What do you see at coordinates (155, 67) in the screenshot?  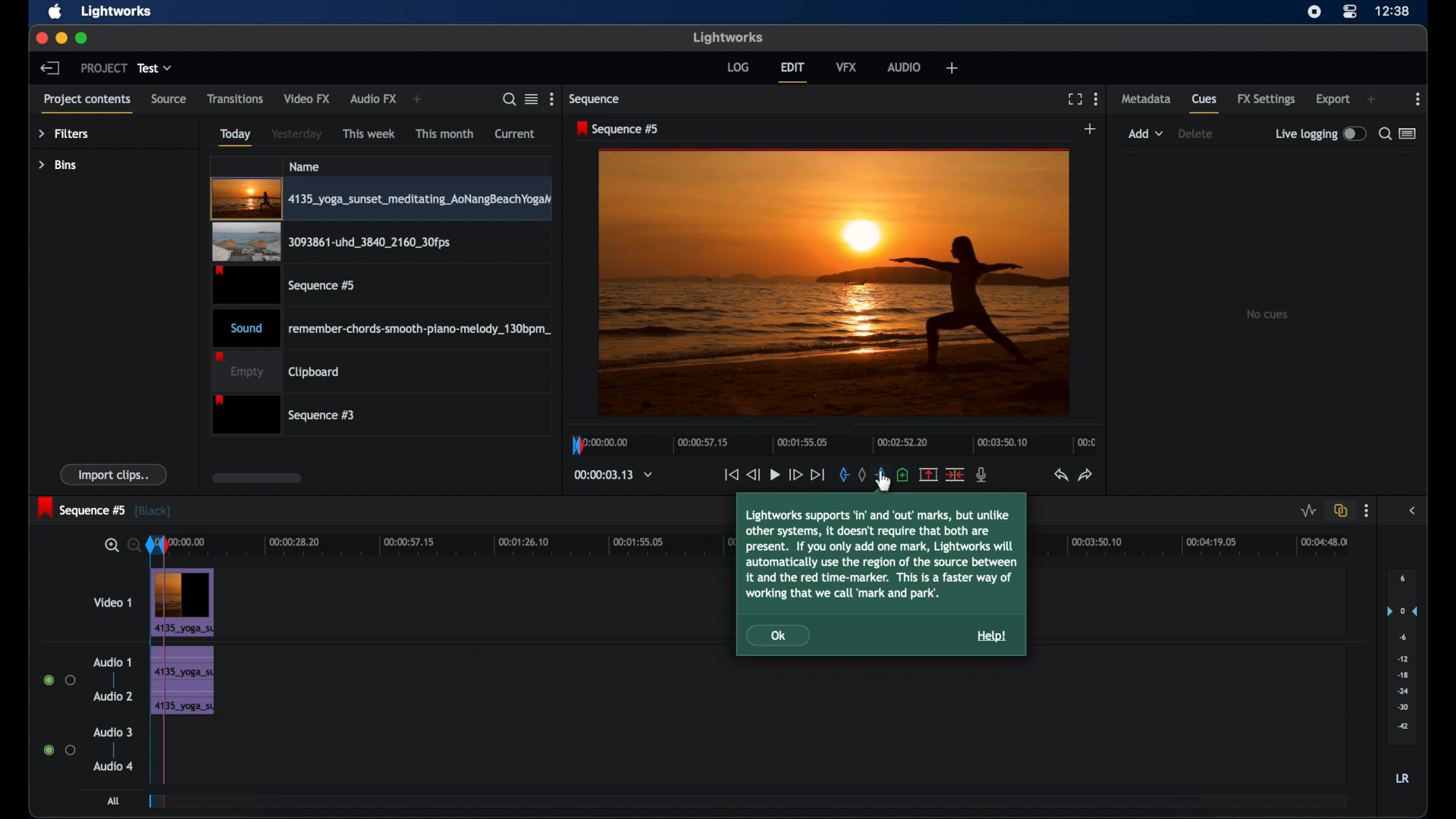 I see `test dropdown` at bounding box center [155, 67].